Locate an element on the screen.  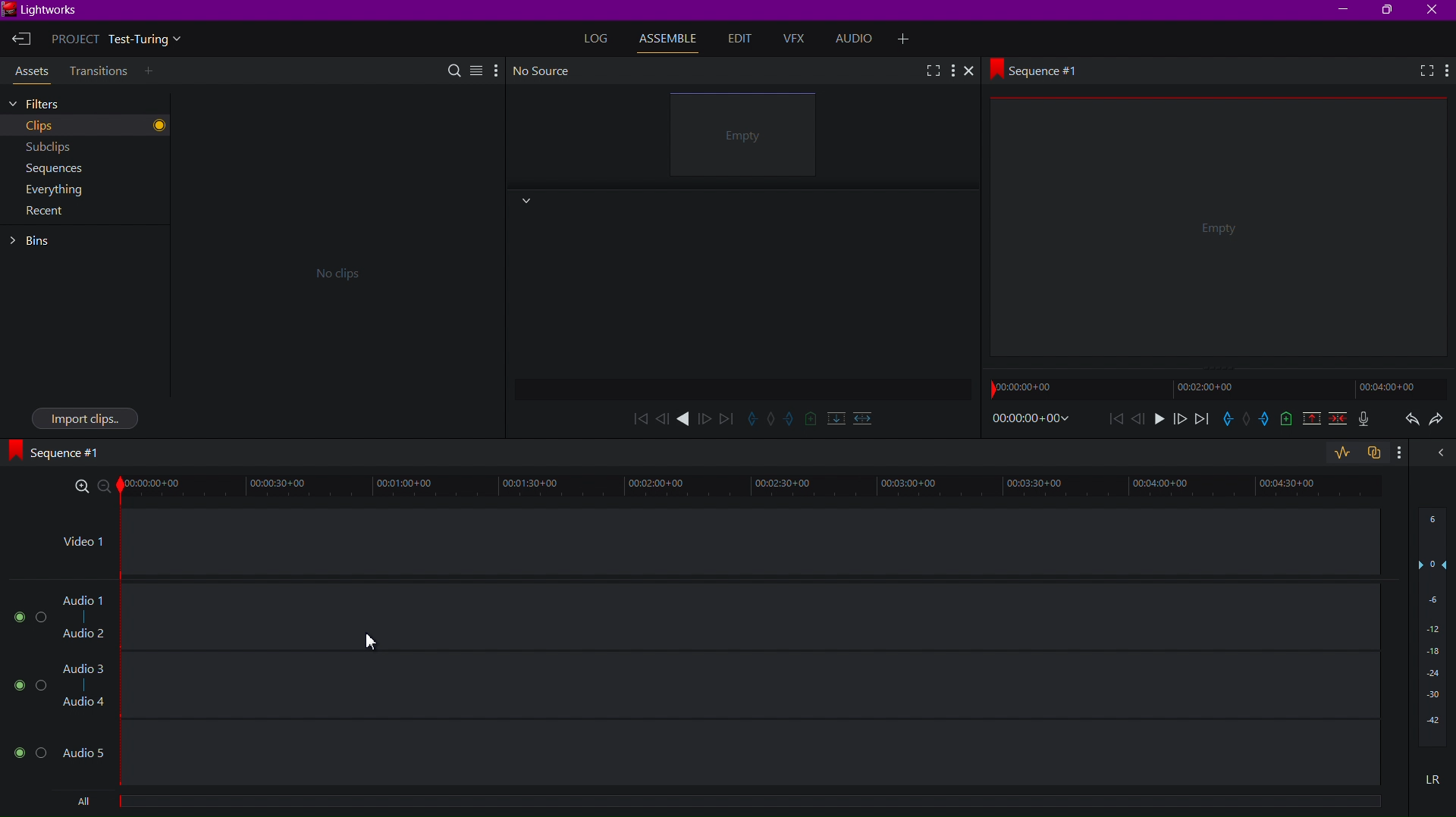
Audio 3 is located at coordinates (86, 669).